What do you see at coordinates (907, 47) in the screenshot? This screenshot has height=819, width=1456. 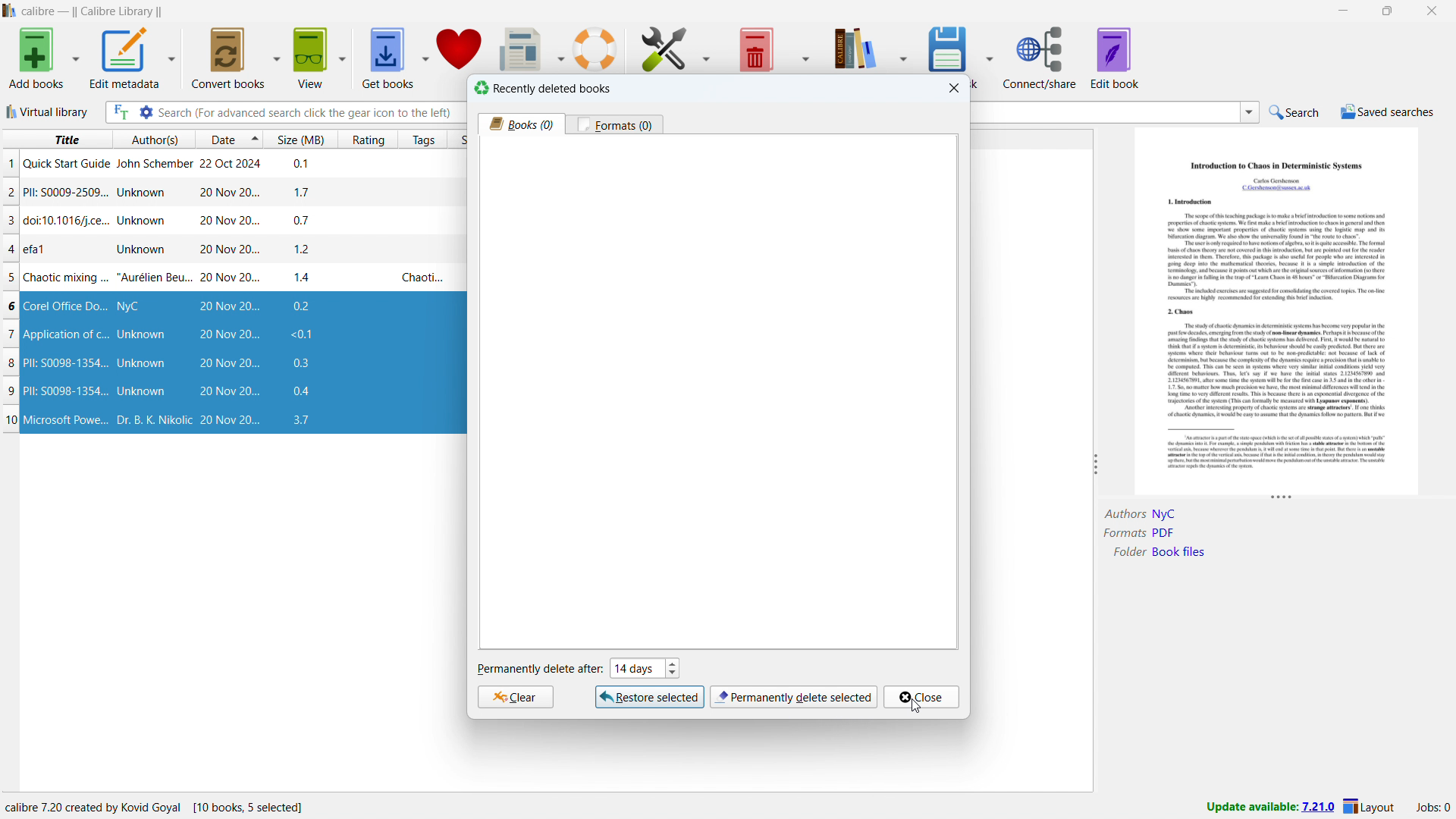 I see `calibre library options` at bounding box center [907, 47].